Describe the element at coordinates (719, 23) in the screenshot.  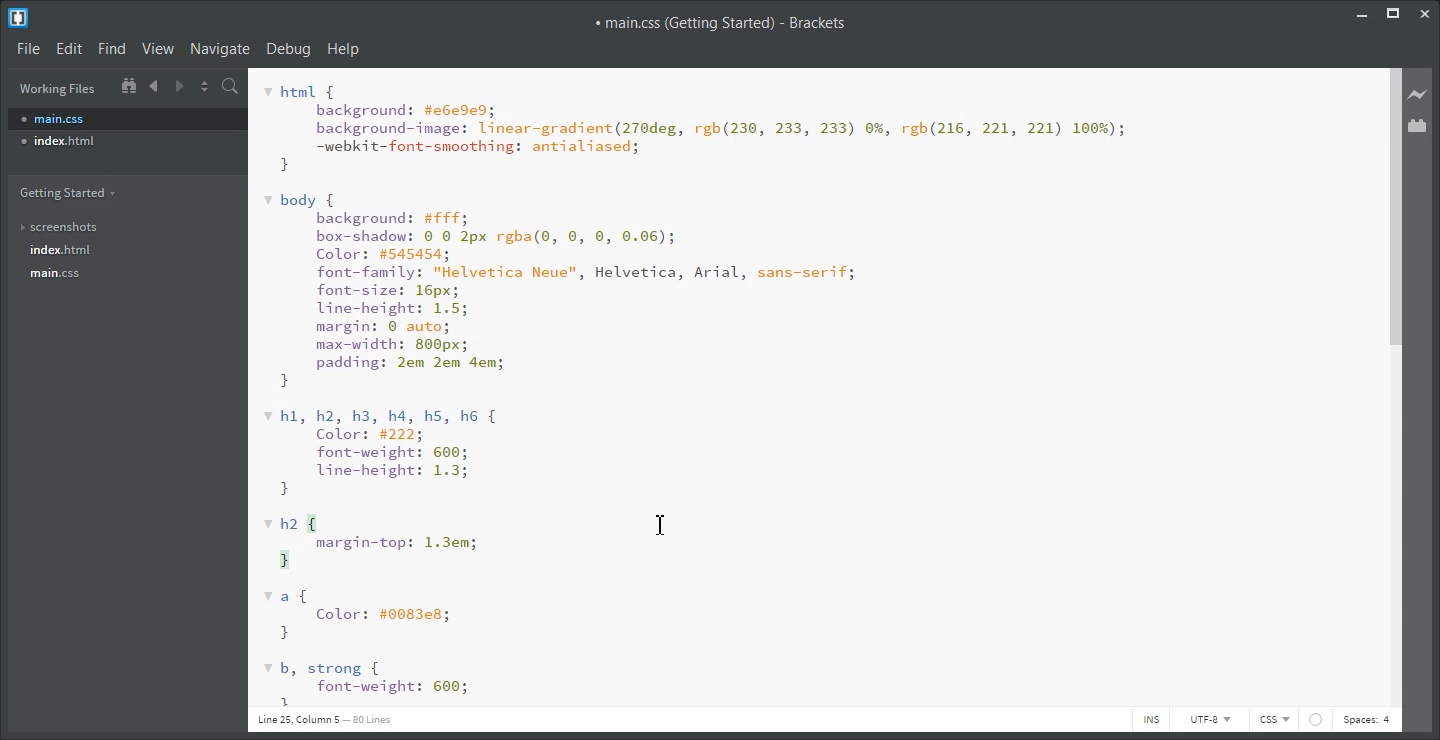
I see `main.css (Getting Started) - Brackets` at that location.